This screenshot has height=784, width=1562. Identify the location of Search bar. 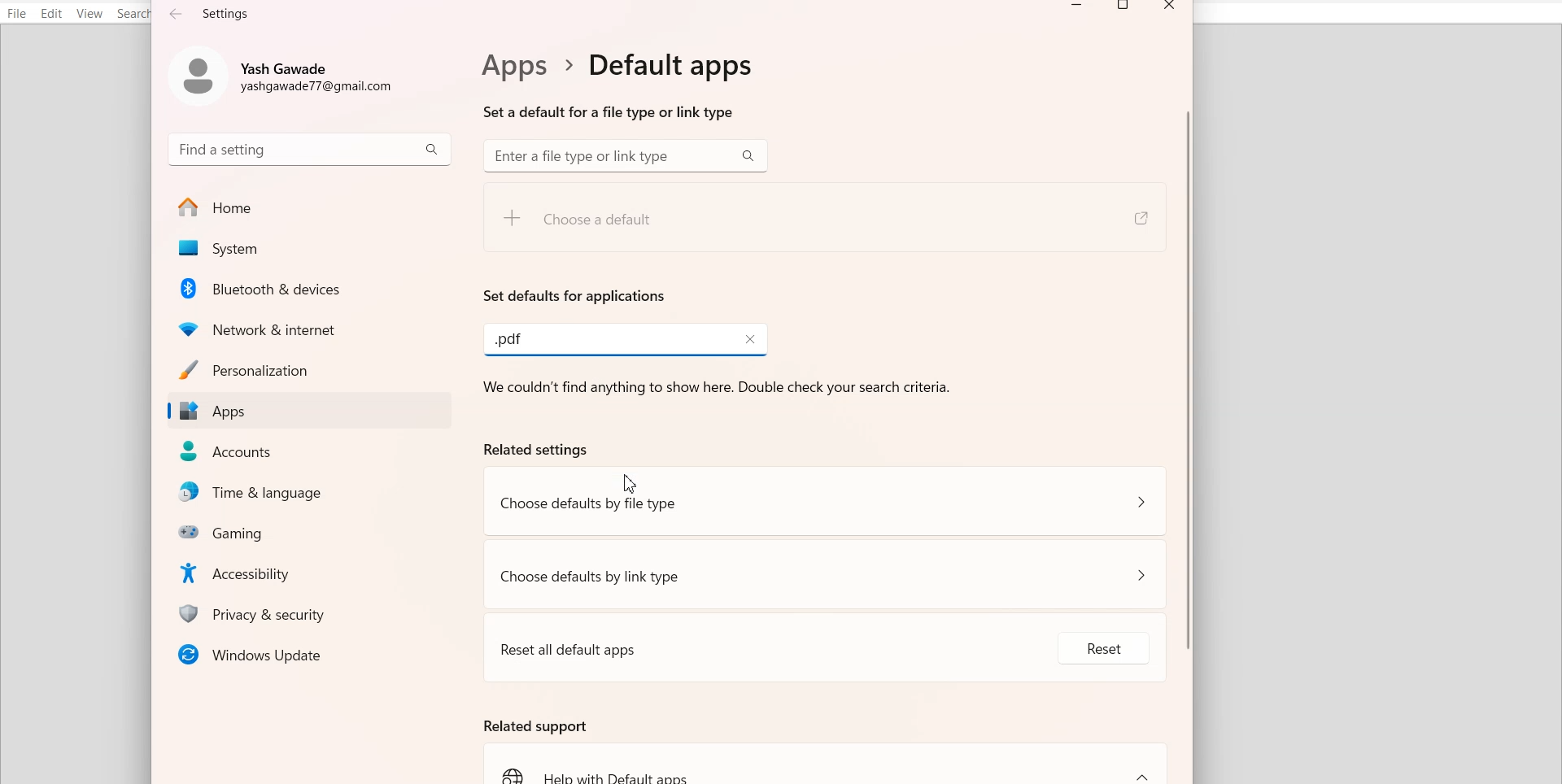
(310, 148).